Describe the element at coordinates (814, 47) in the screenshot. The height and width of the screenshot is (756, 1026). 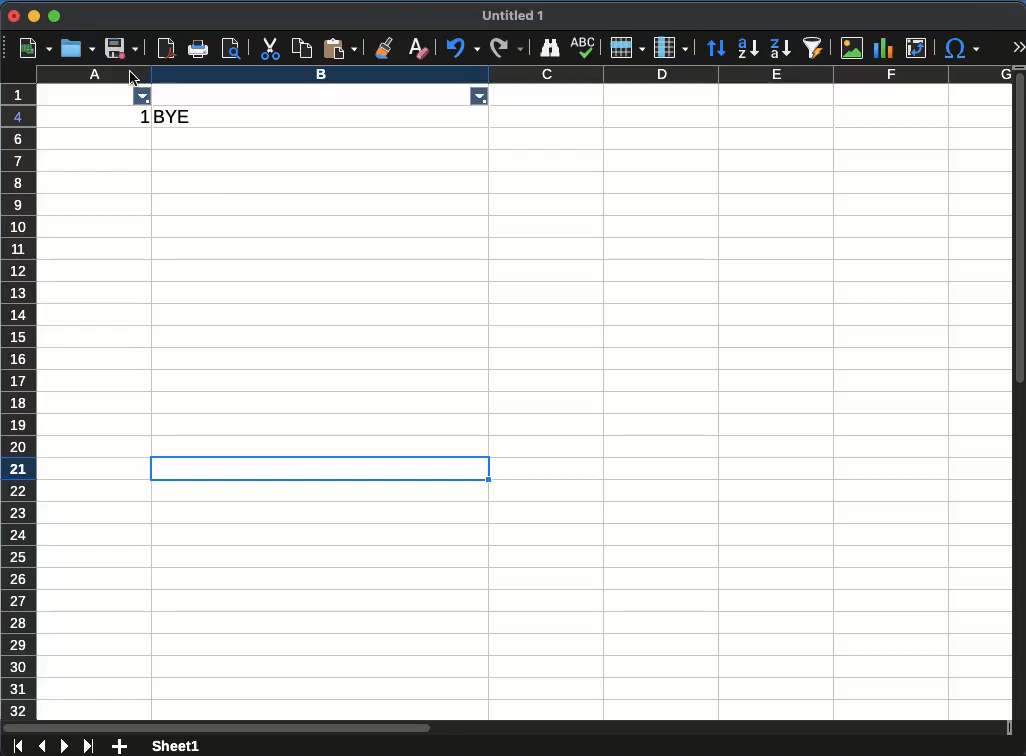
I see `autofilter` at that location.